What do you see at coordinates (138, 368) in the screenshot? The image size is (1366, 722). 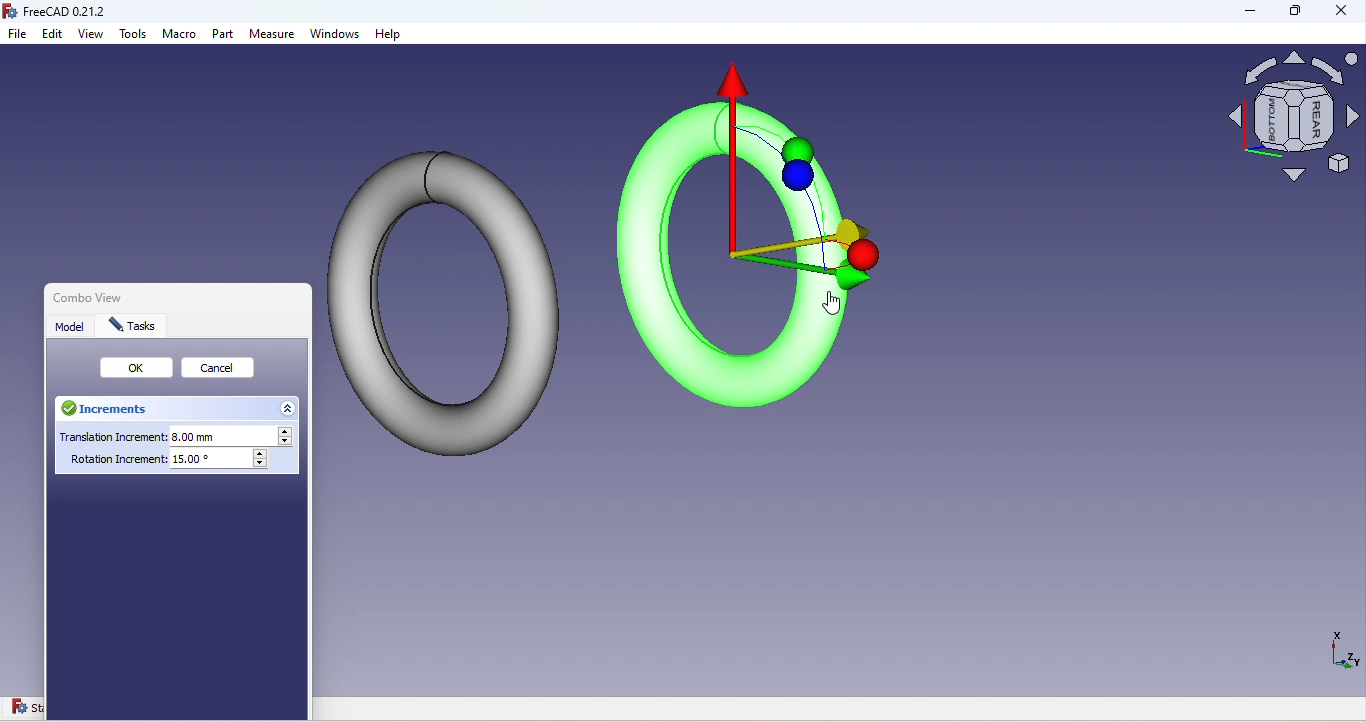 I see `Ok` at bounding box center [138, 368].